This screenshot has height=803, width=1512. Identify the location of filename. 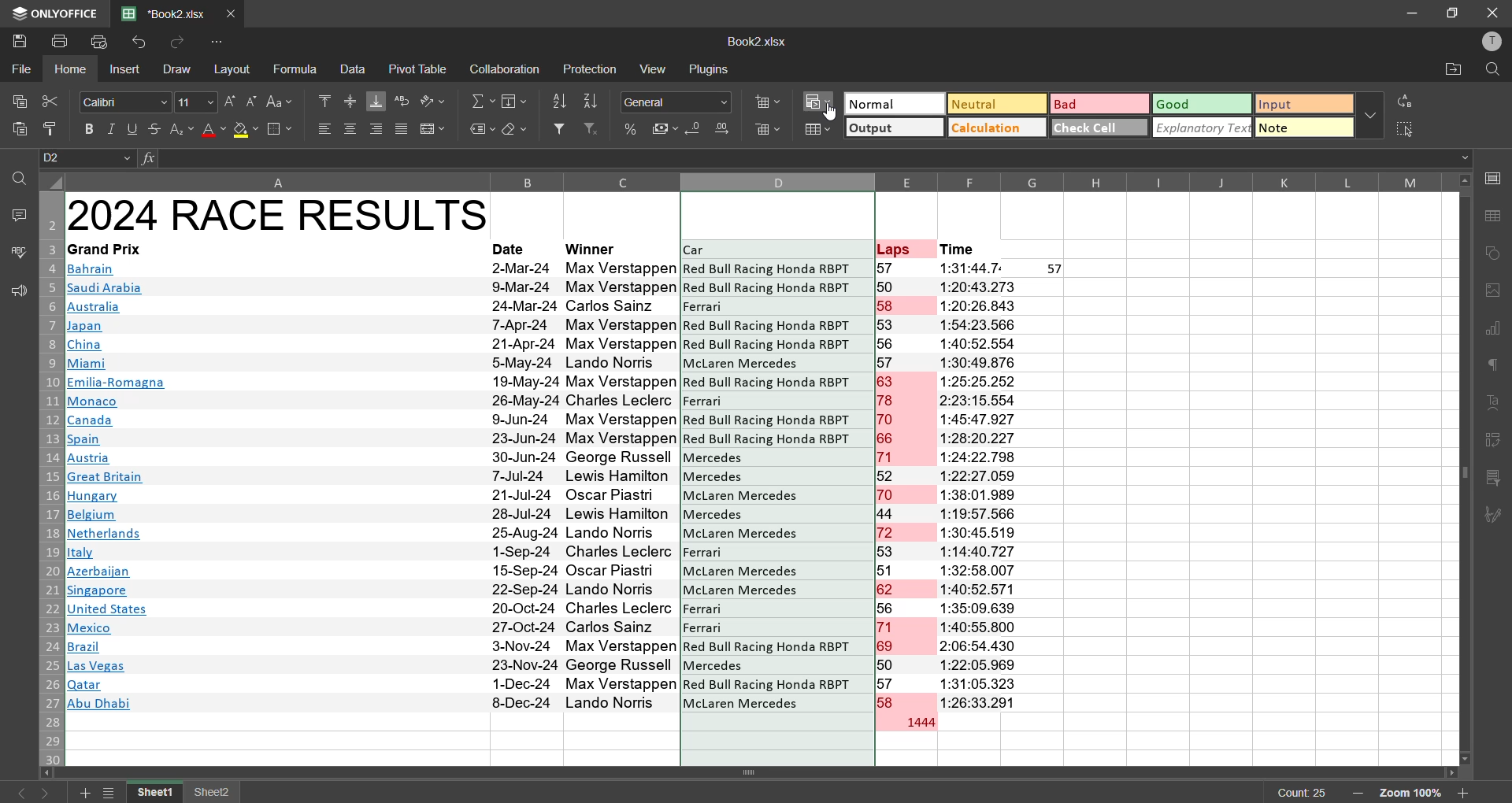
(169, 12).